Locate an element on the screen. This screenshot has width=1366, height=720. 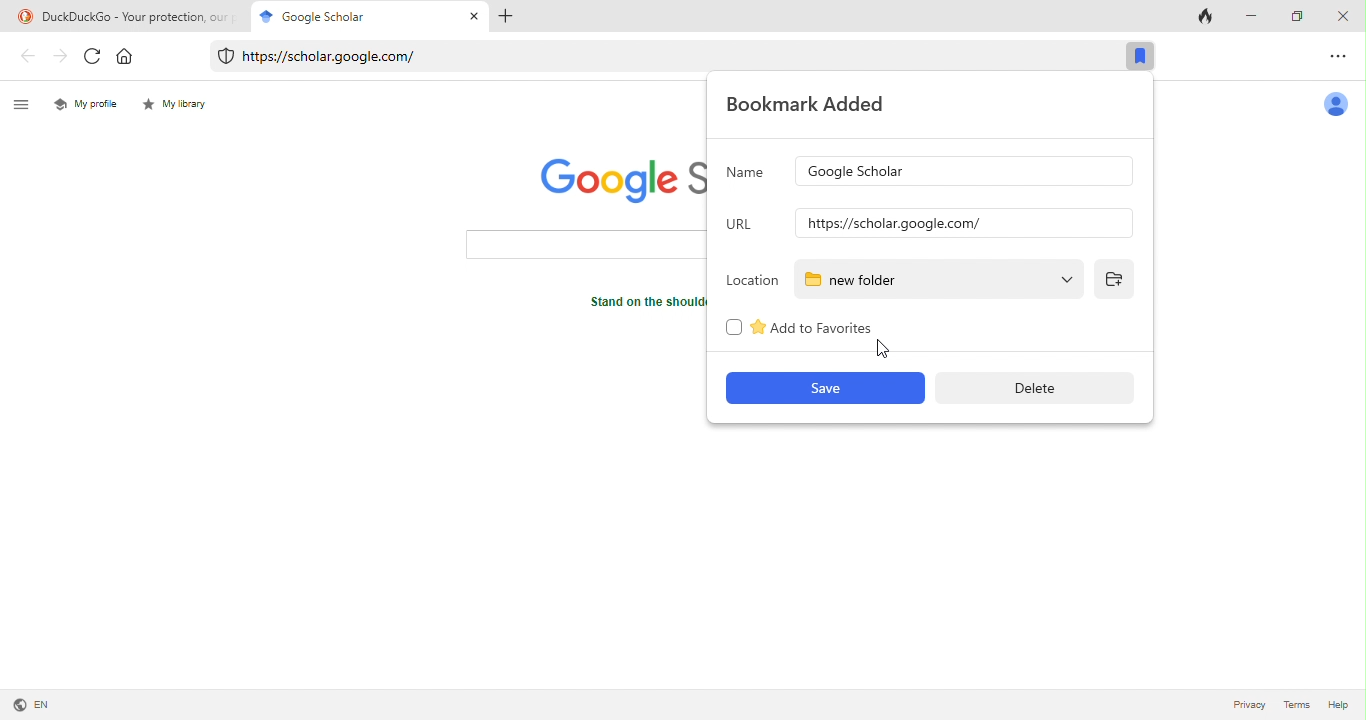
title is located at coordinates (124, 15).